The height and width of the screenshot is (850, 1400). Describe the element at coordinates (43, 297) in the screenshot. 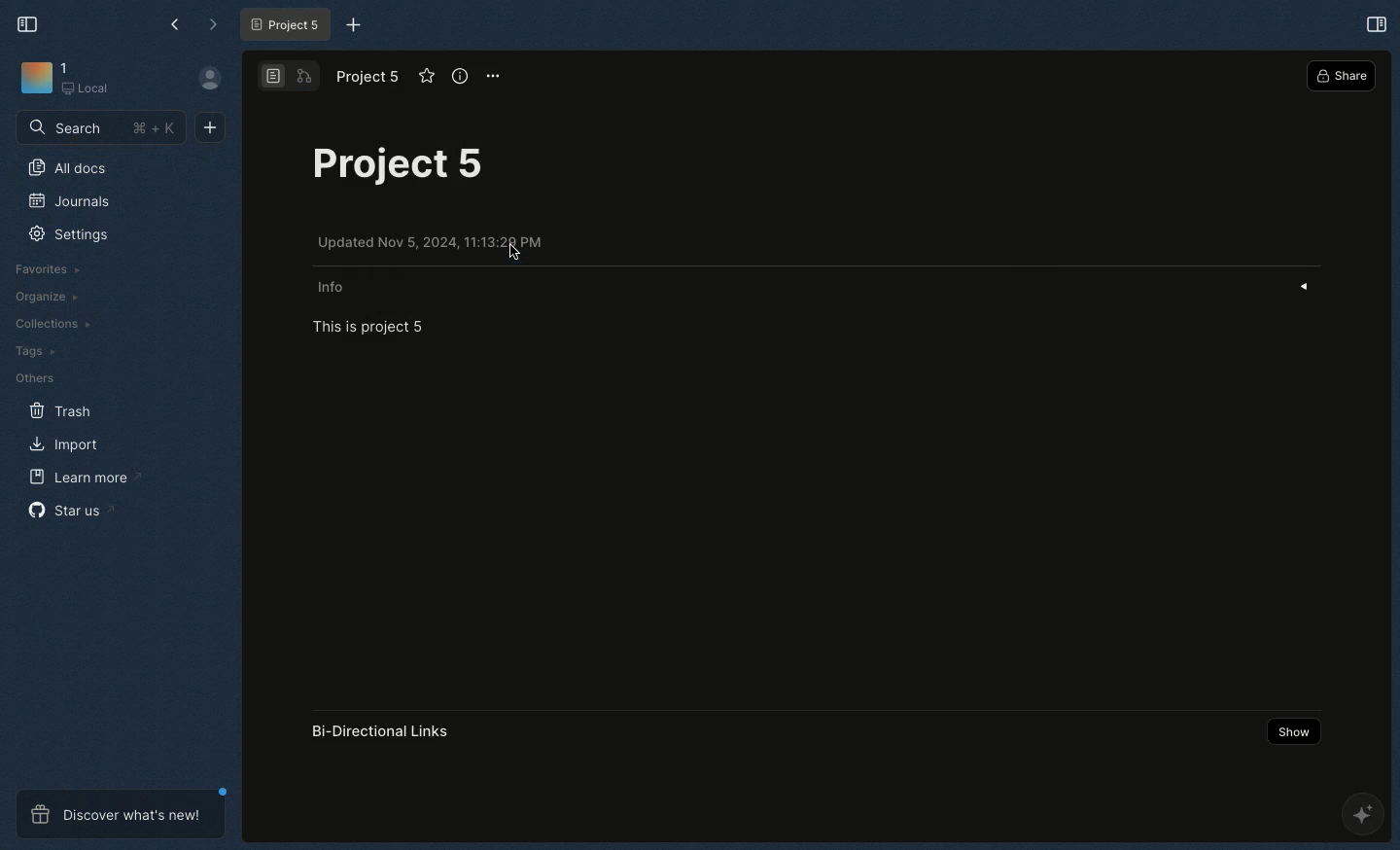

I see `Organize` at that location.